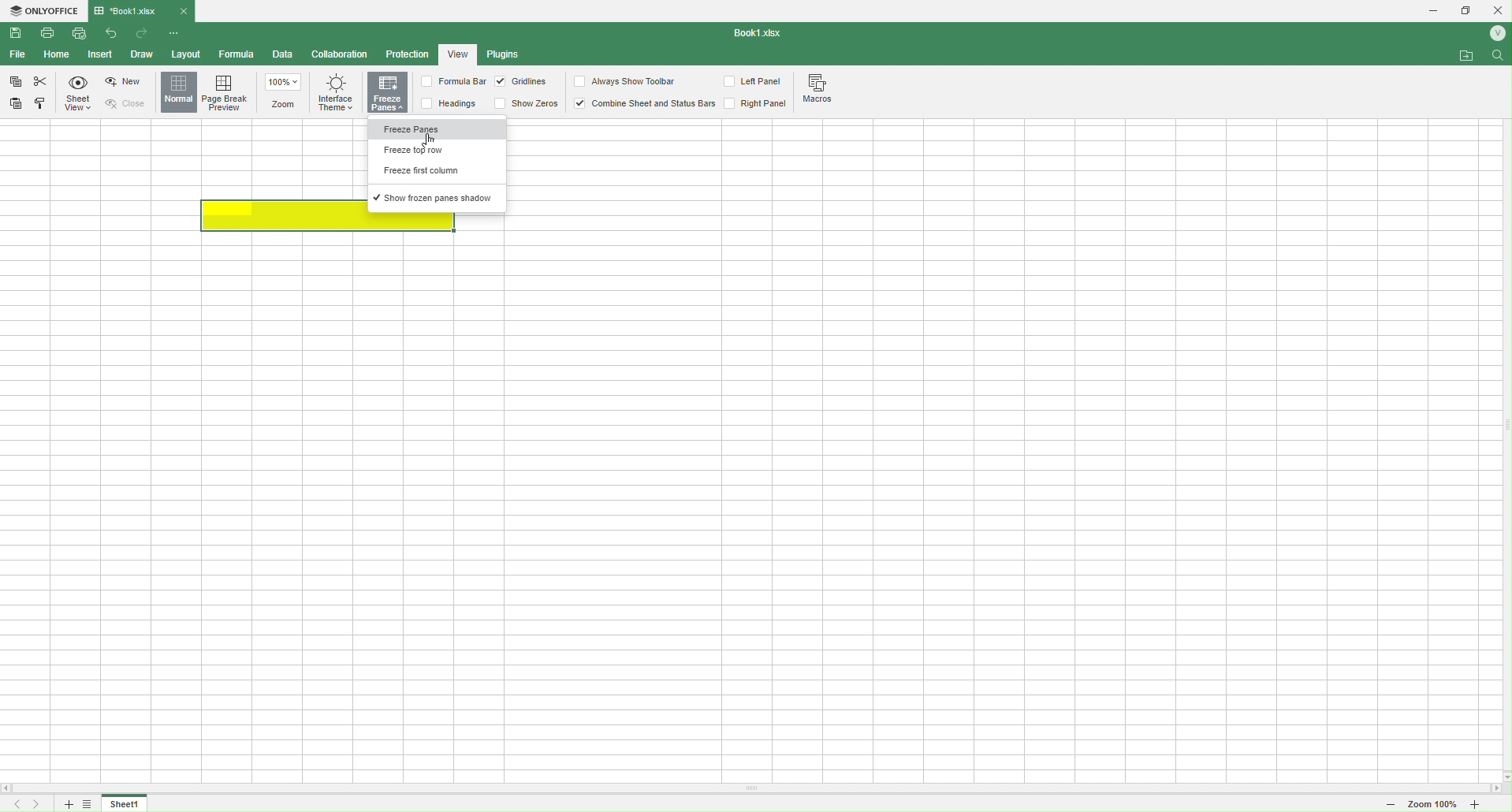 The height and width of the screenshot is (812, 1512). I want to click on Add sheet, so click(66, 804).